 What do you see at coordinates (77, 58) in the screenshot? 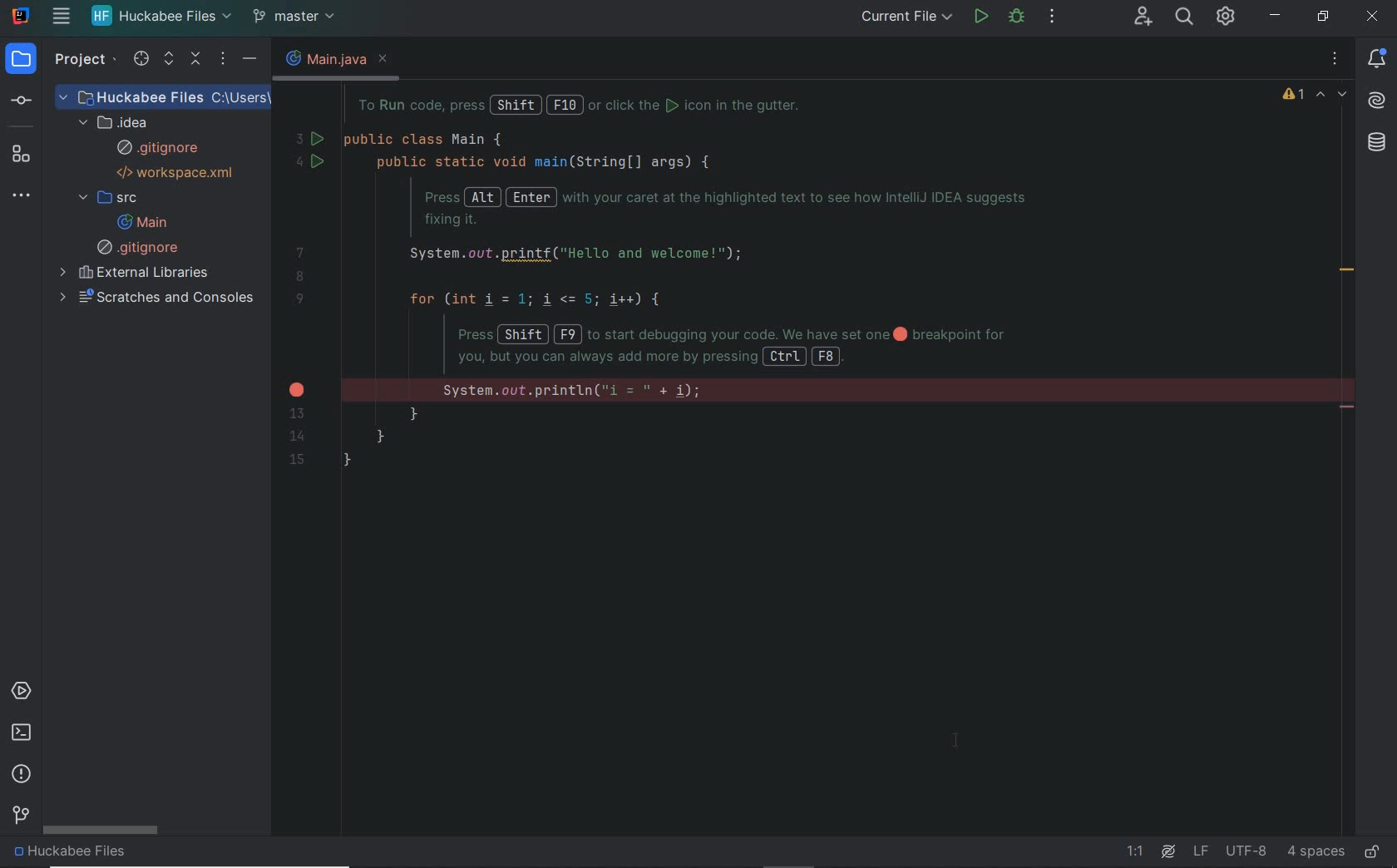
I see `project` at bounding box center [77, 58].